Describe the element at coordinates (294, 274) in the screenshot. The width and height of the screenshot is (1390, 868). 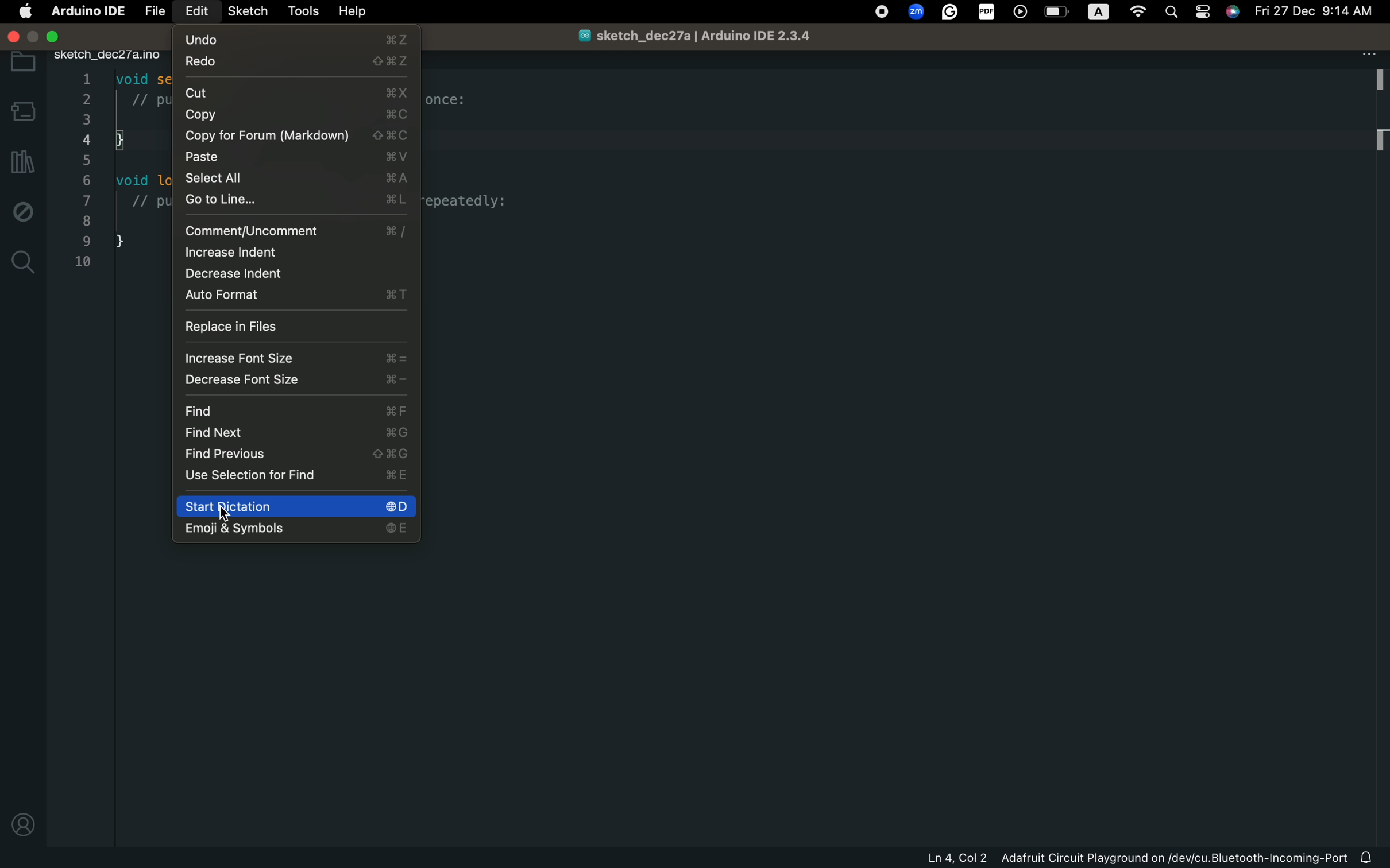
I see `decrease indent` at that location.